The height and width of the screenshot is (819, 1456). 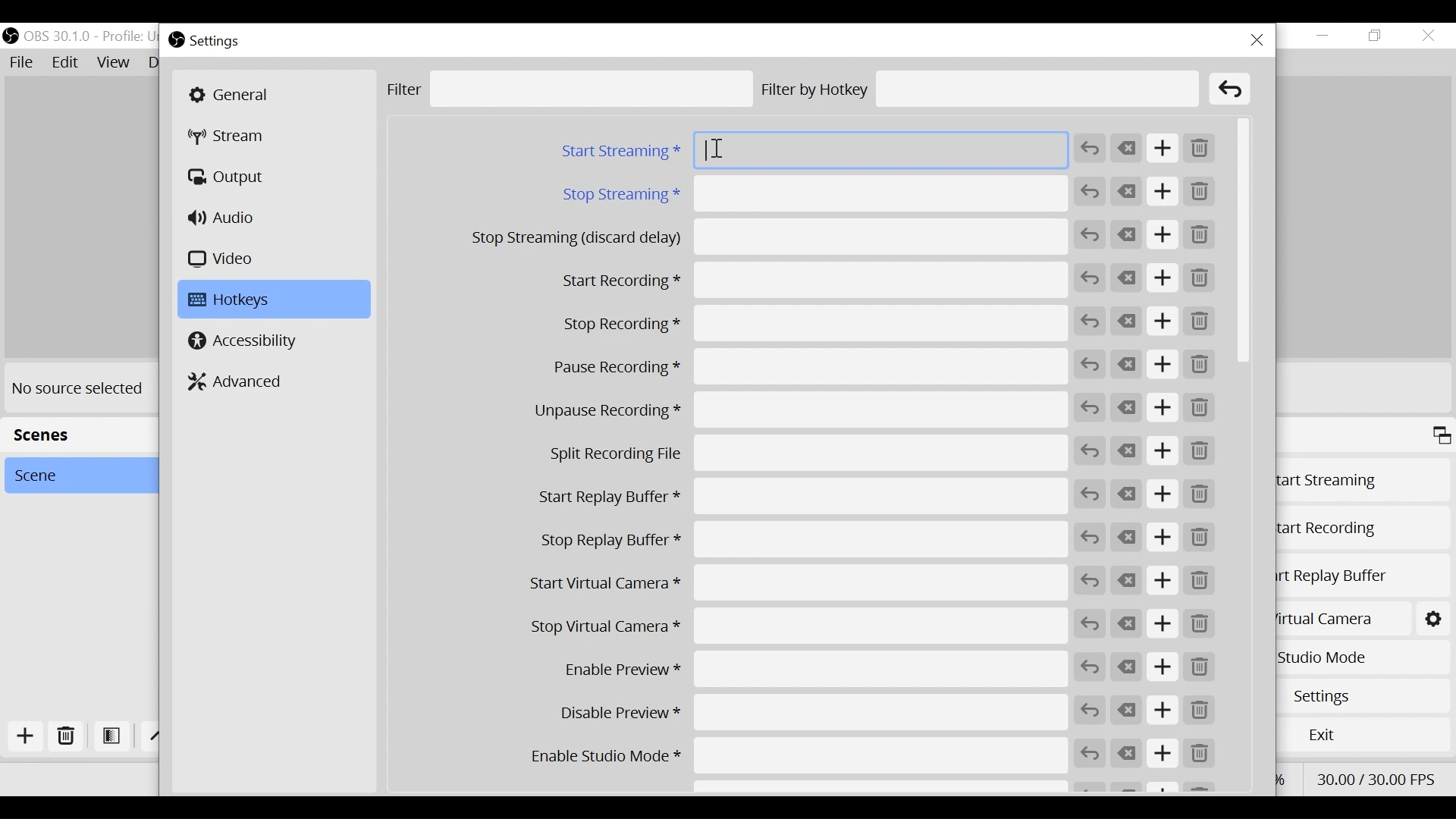 I want to click on Start Streaming, so click(x=812, y=149).